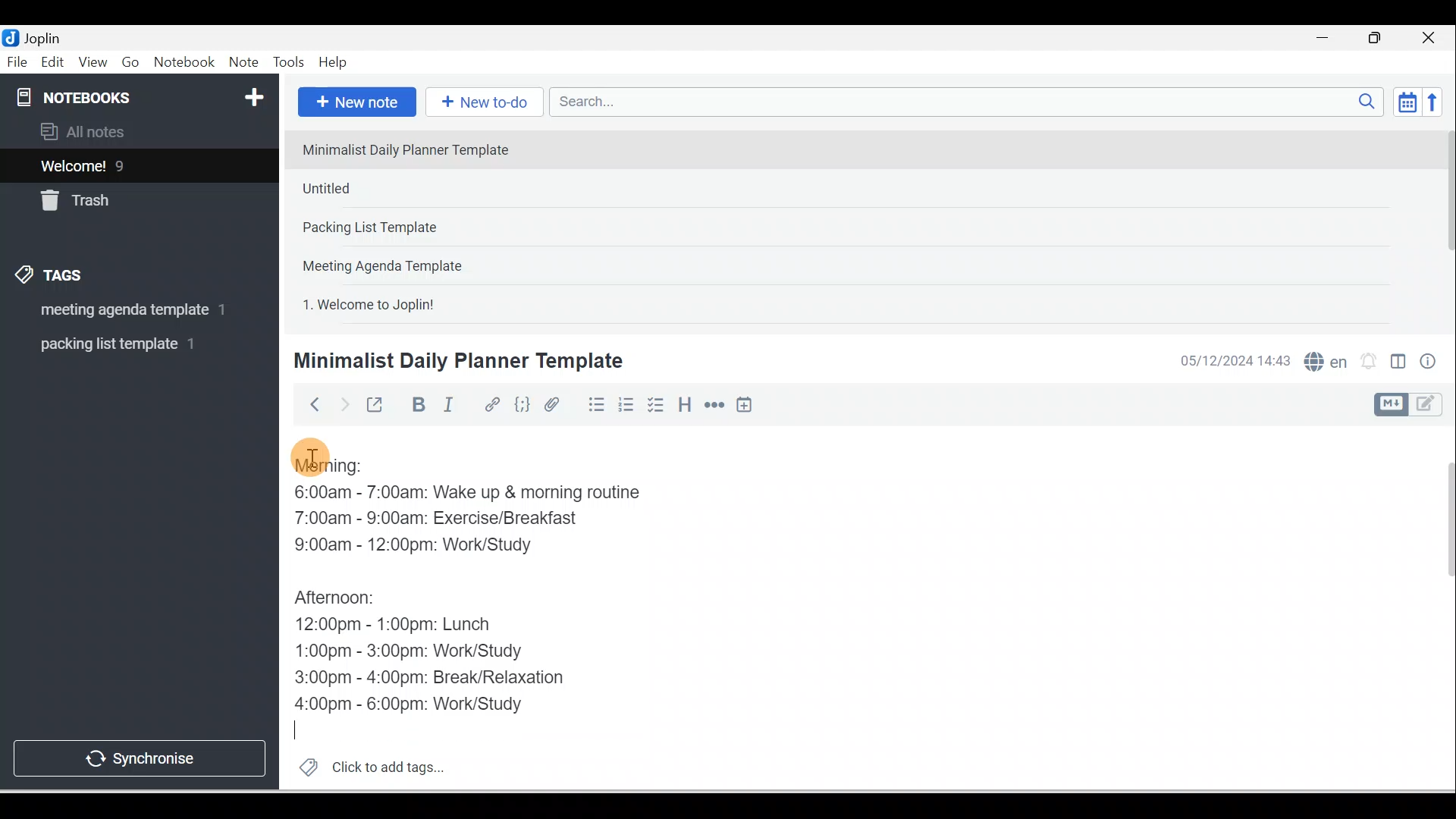  What do you see at coordinates (347, 599) in the screenshot?
I see `Afternoon:` at bounding box center [347, 599].